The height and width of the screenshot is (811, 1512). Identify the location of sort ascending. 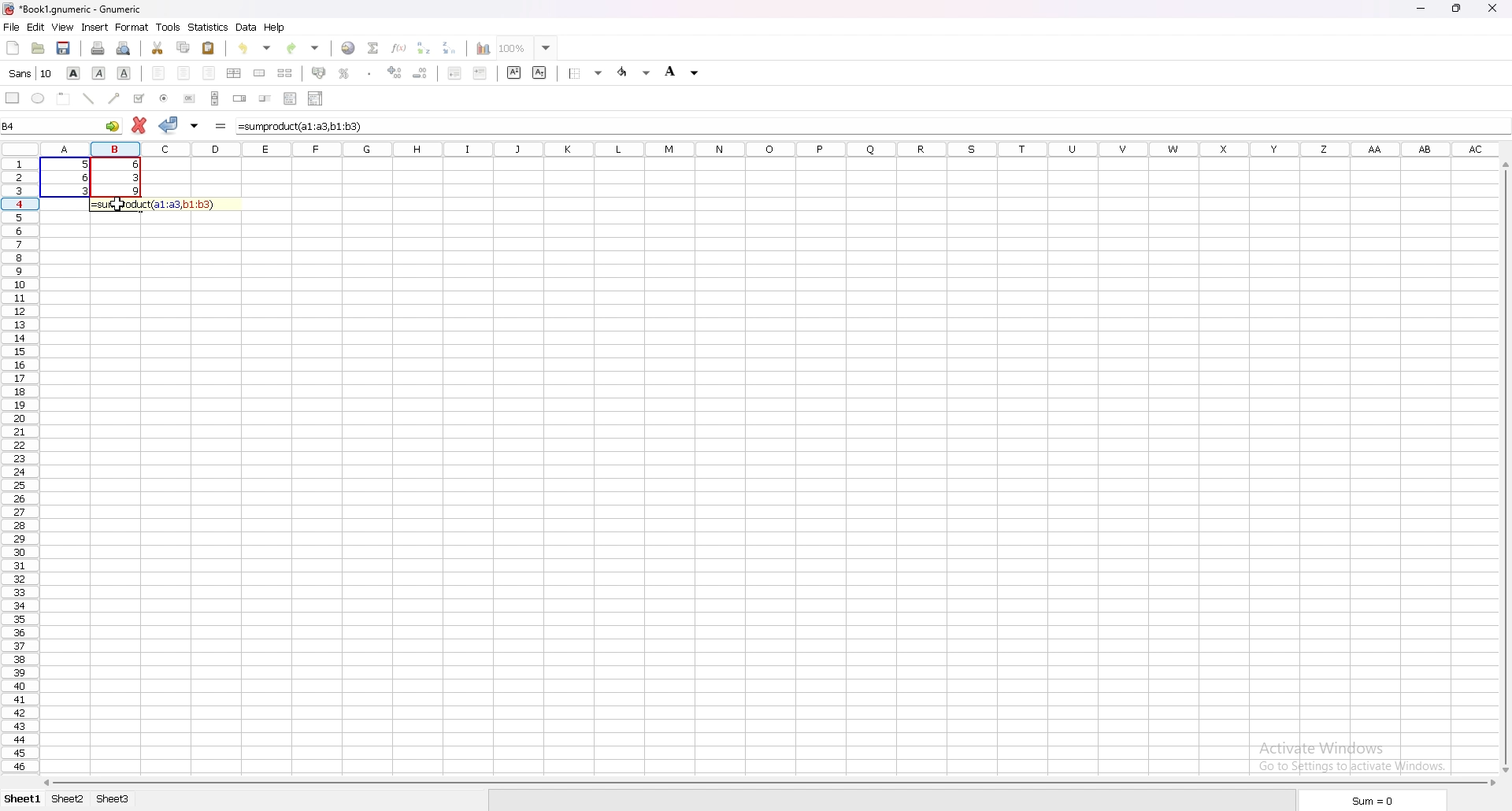
(423, 47).